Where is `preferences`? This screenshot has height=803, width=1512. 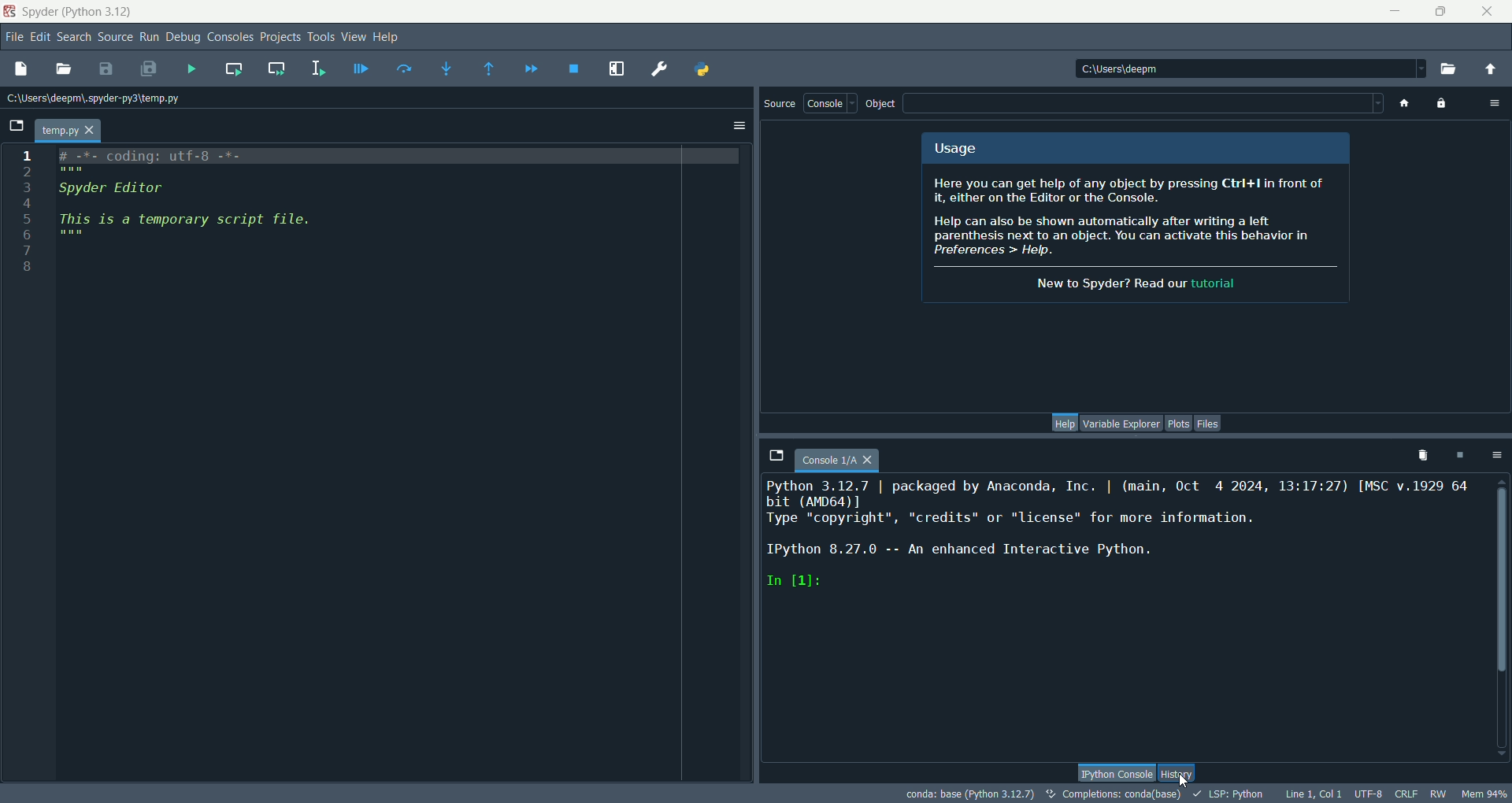 preferences is located at coordinates (656, 69).